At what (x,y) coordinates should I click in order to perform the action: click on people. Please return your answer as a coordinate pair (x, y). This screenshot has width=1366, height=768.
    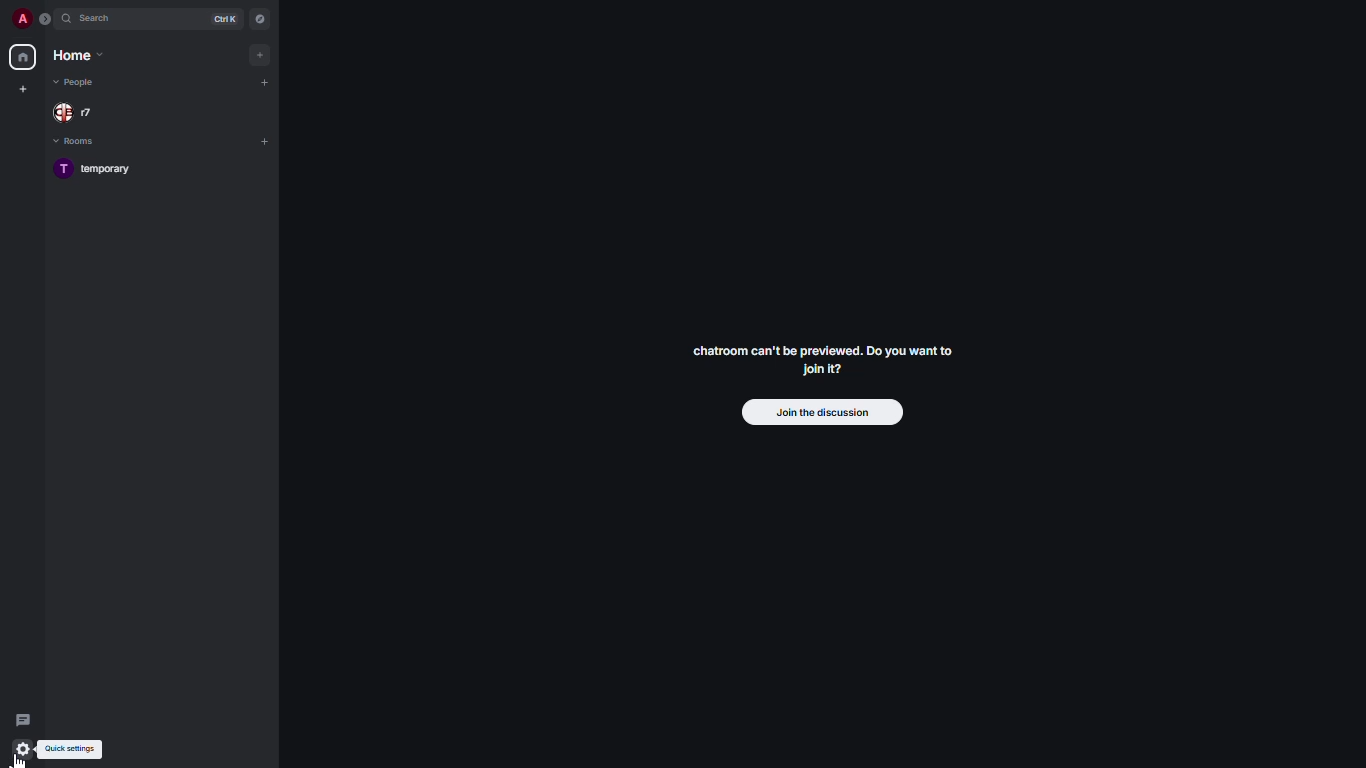
    Looking at the image, I should click on (73, 83).